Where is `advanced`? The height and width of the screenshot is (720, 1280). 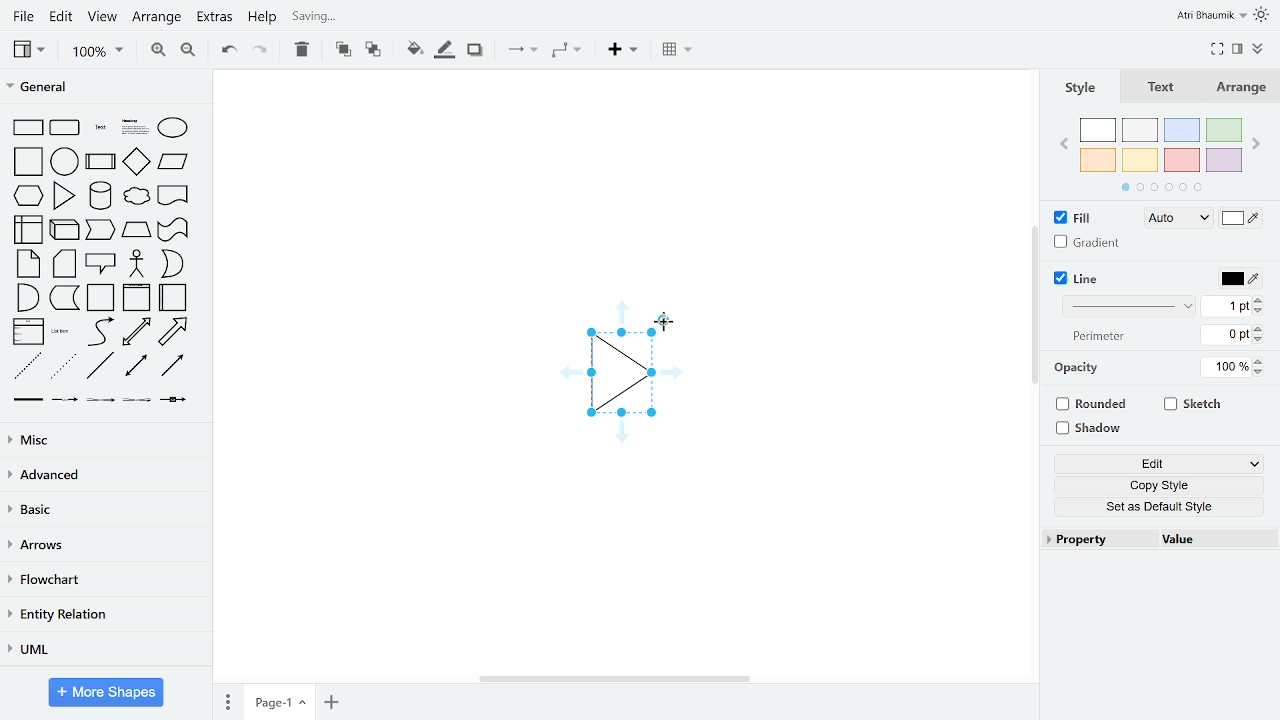
advanced is located at coordinates (103, 477).